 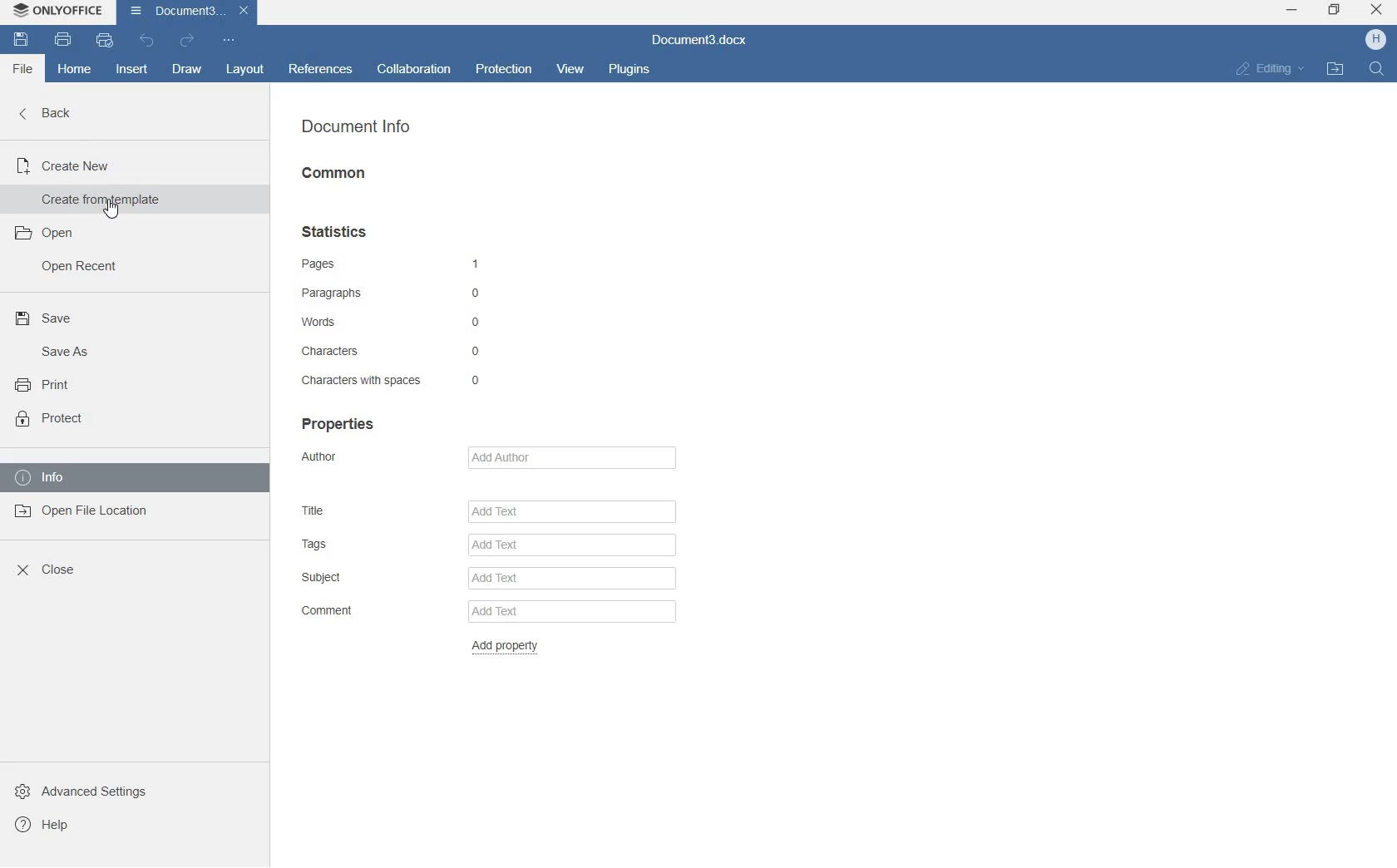 What do you see at coordinates (1345, 67) in the screenshot?
I see `import` at bounding box center [1345, 67].